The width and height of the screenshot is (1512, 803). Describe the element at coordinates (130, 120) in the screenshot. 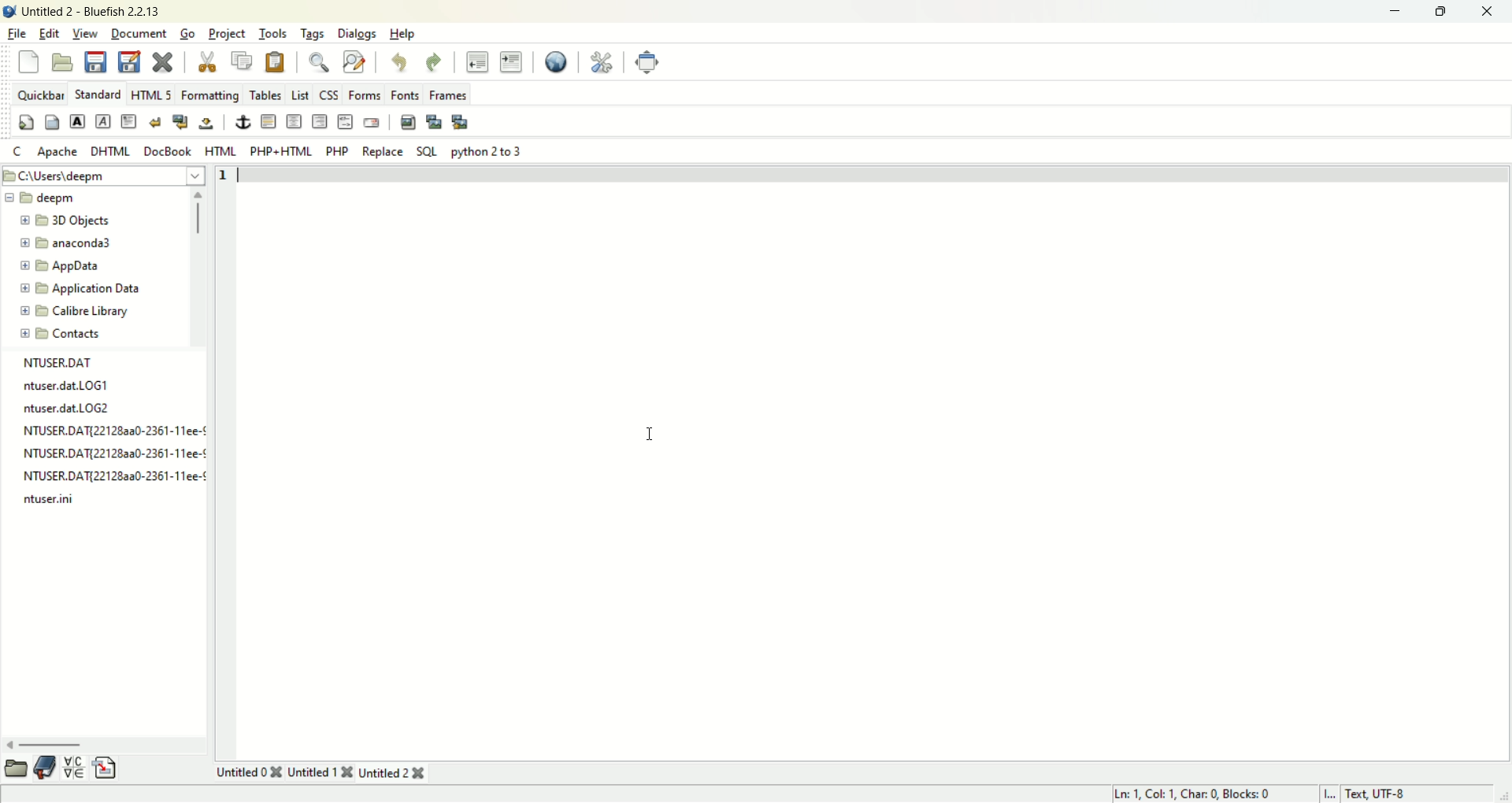

I see `paragraph` at that location.